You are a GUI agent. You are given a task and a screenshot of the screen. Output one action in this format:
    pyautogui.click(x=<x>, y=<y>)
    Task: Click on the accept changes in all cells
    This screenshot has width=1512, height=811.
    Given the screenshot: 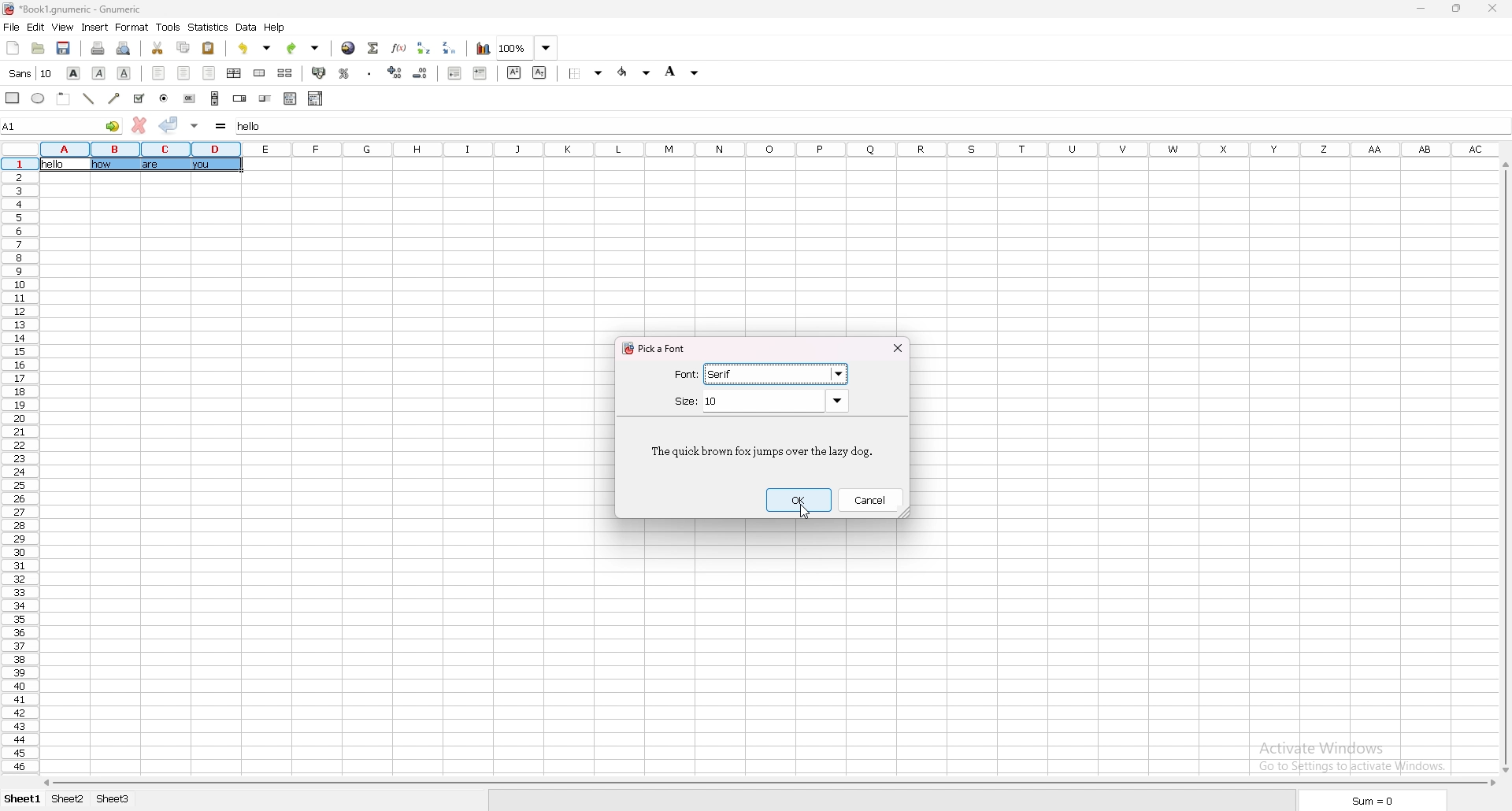 What is the action you would take?
    pyautogui.click(x=195, y=125)
    